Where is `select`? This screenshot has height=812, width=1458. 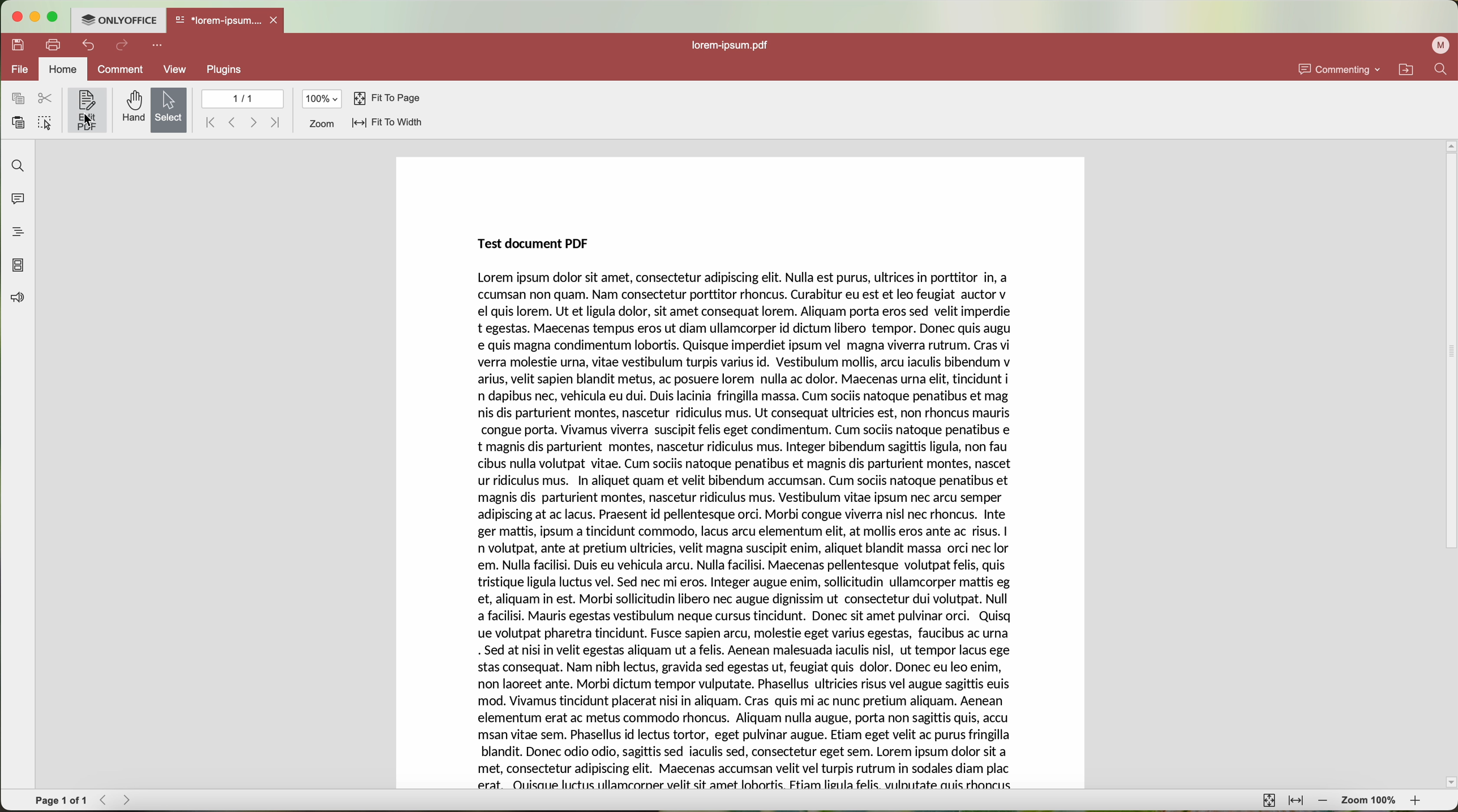
select is located at coordinates (168, 110).